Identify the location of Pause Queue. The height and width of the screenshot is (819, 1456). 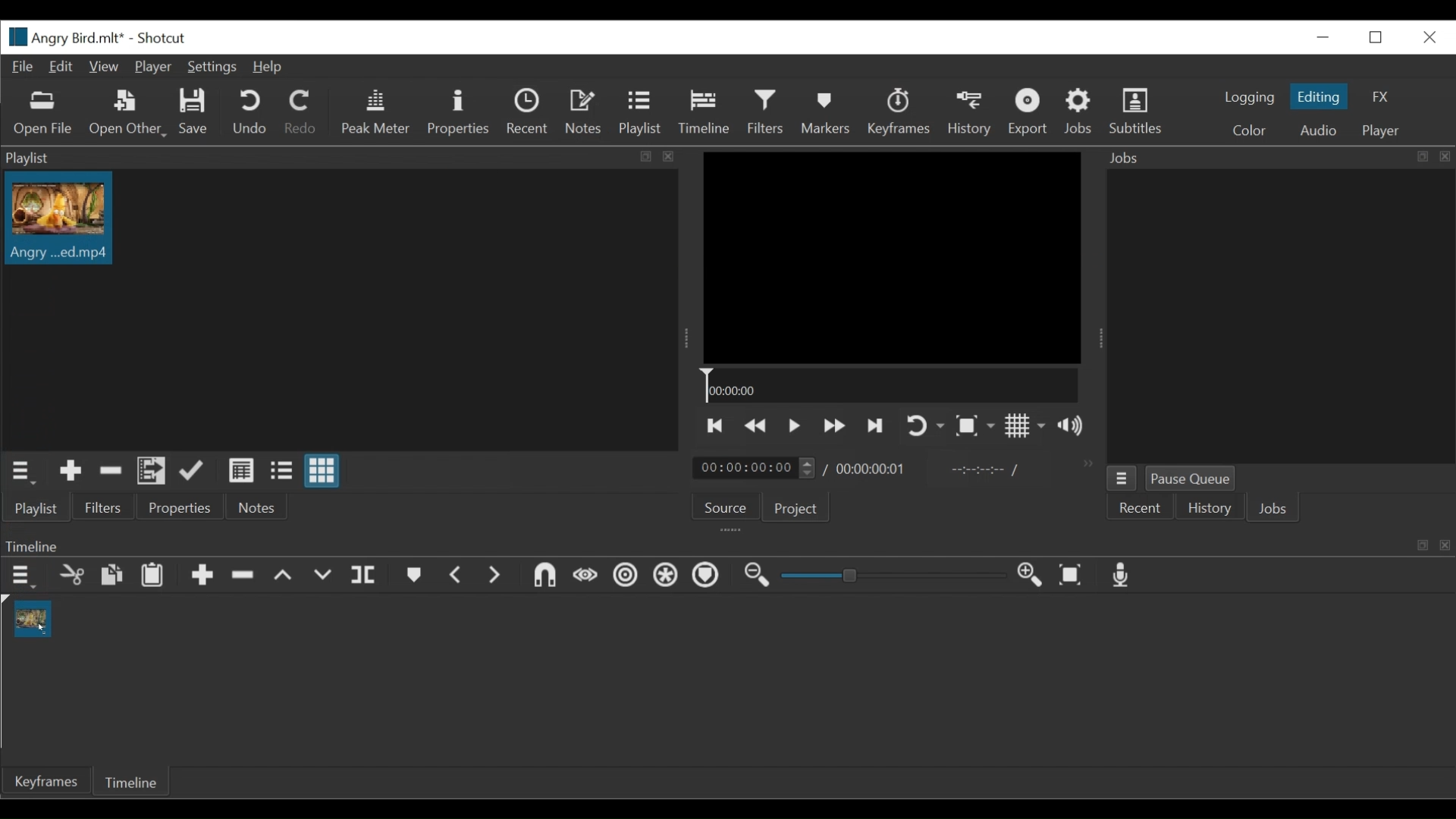
(1189, 478).